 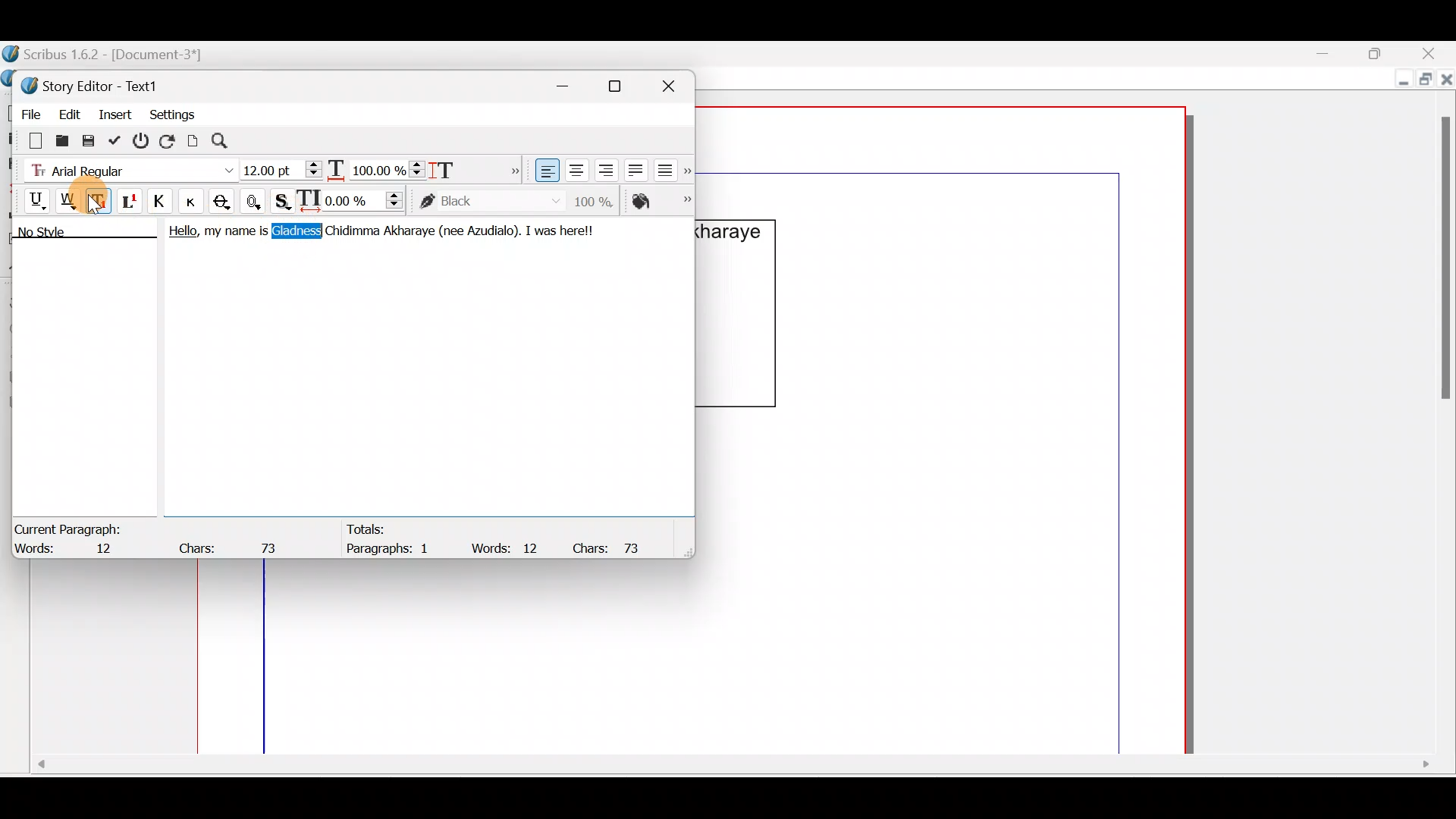 I want to click on Gladness, so click(x=296, y=231).